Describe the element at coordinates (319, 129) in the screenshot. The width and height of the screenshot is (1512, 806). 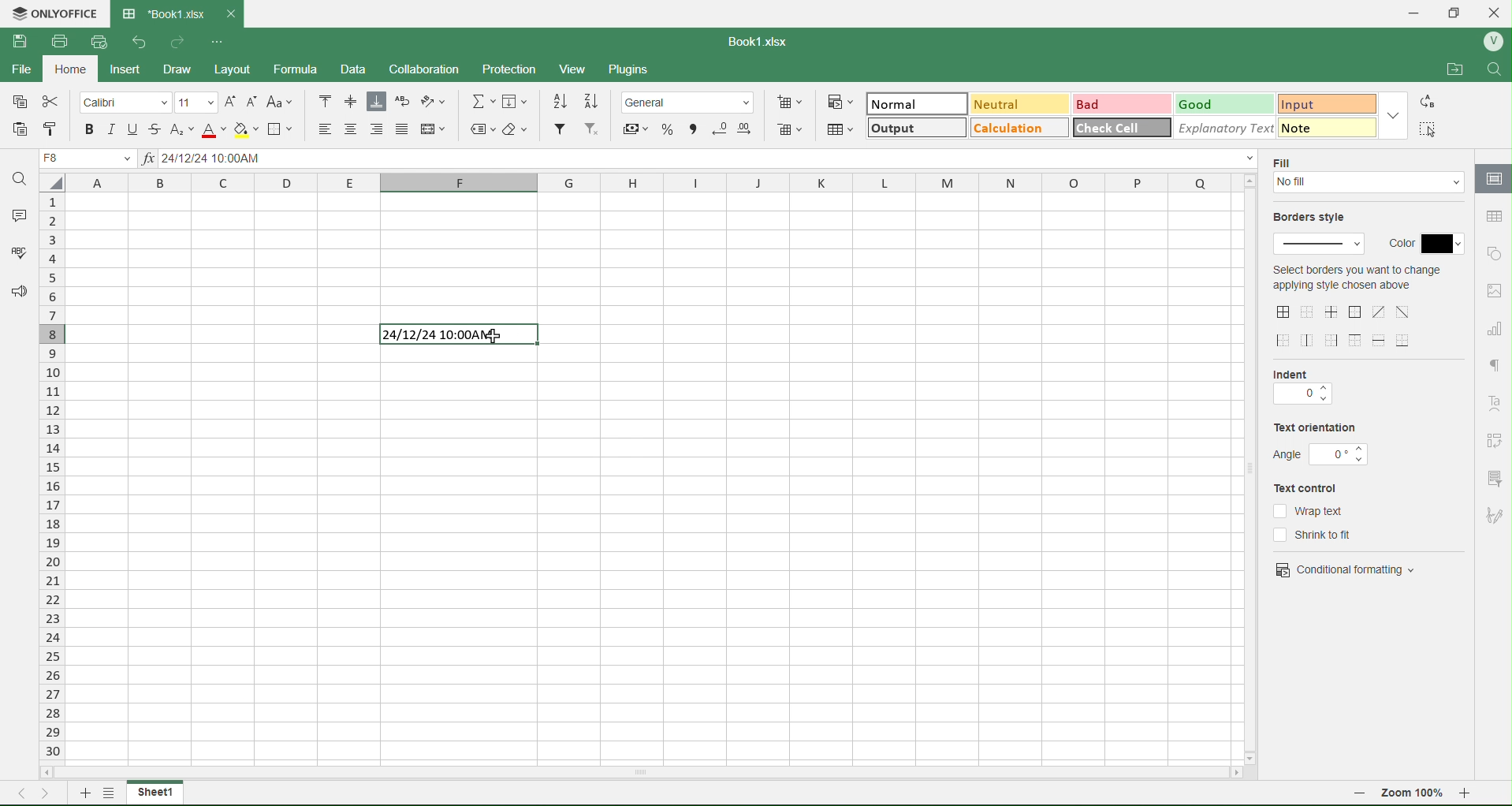
I see `Align Left` at that location.